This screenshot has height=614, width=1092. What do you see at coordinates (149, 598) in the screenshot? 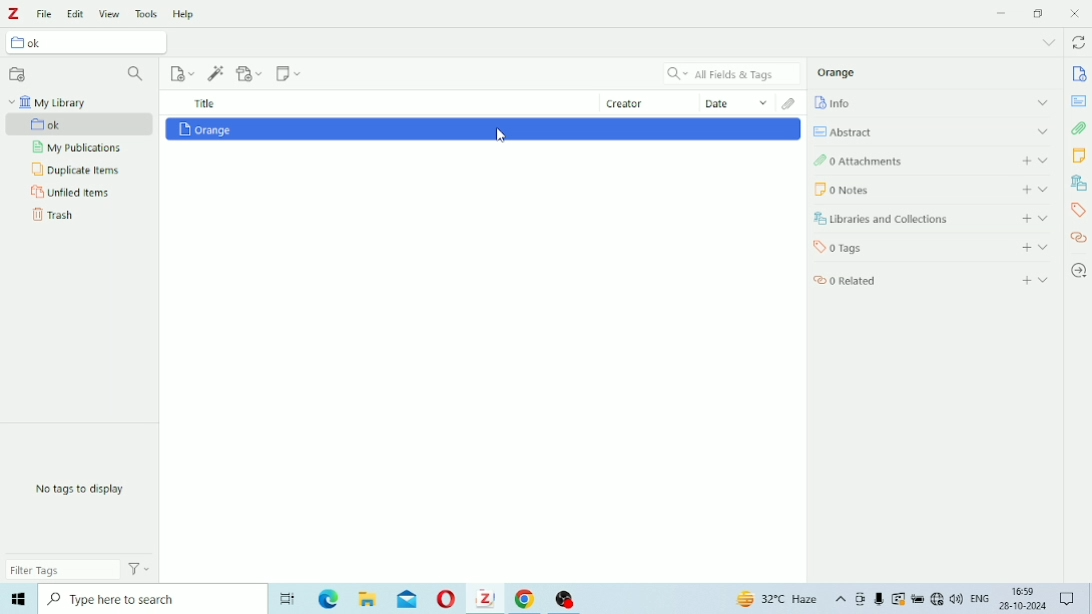
I see `Type here to search` at bounding box center [149, 598].